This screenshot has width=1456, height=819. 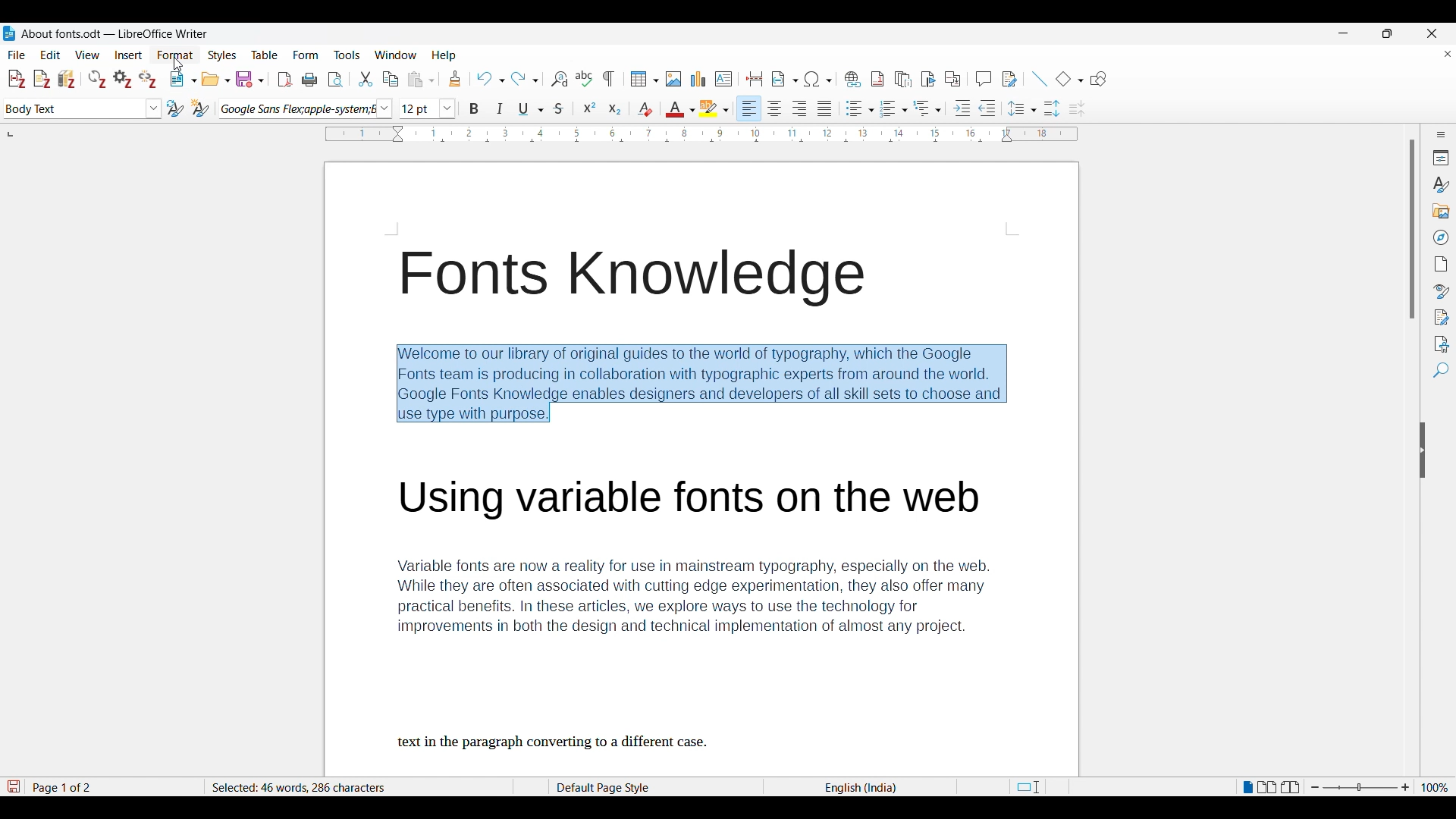 What do you see at coordinates (531, 109) in the screenshot?
I see `Underline options` at bounding box center [531, 109].